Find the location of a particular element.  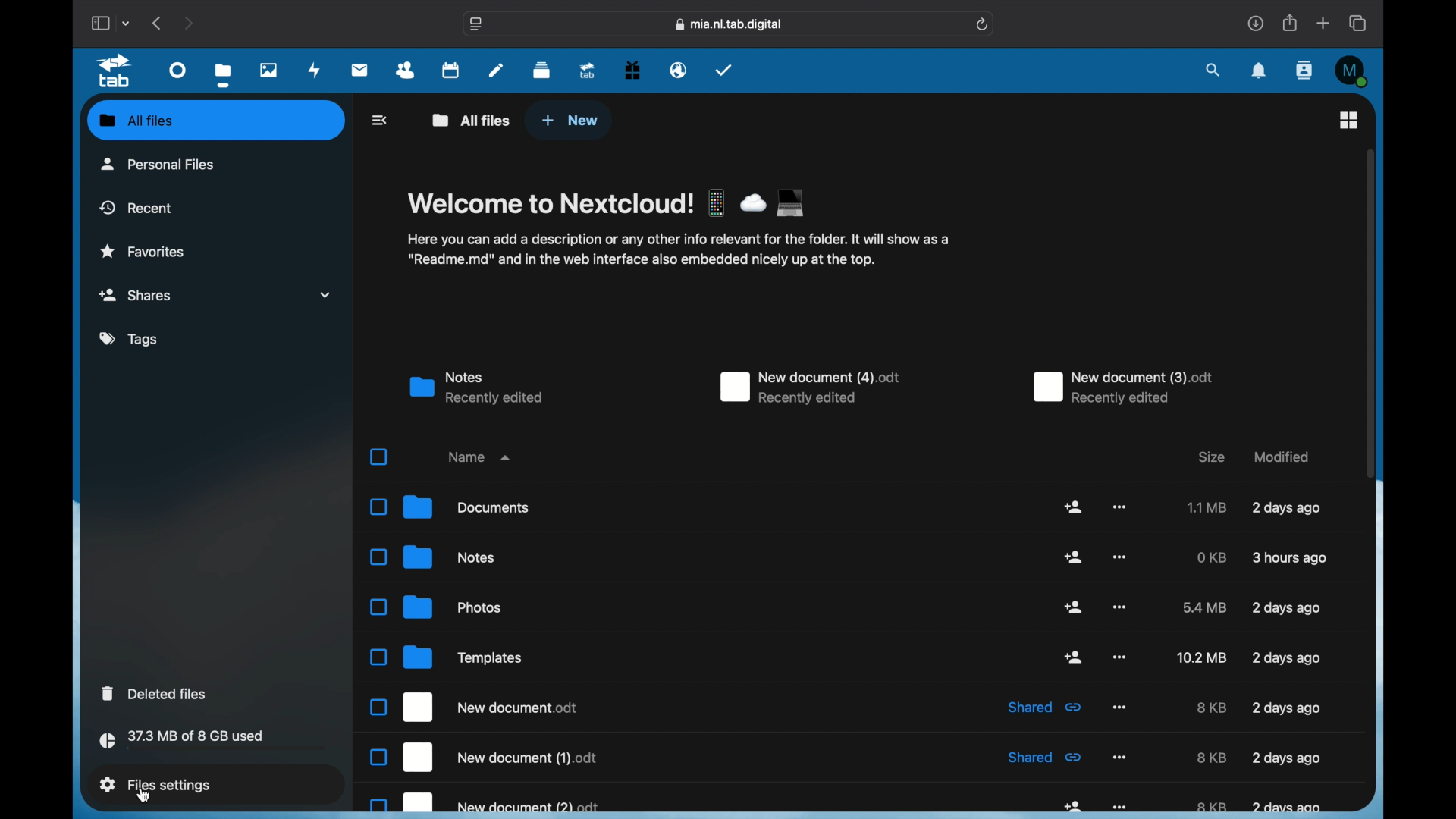

calendar is located at coordinates (450, 69).